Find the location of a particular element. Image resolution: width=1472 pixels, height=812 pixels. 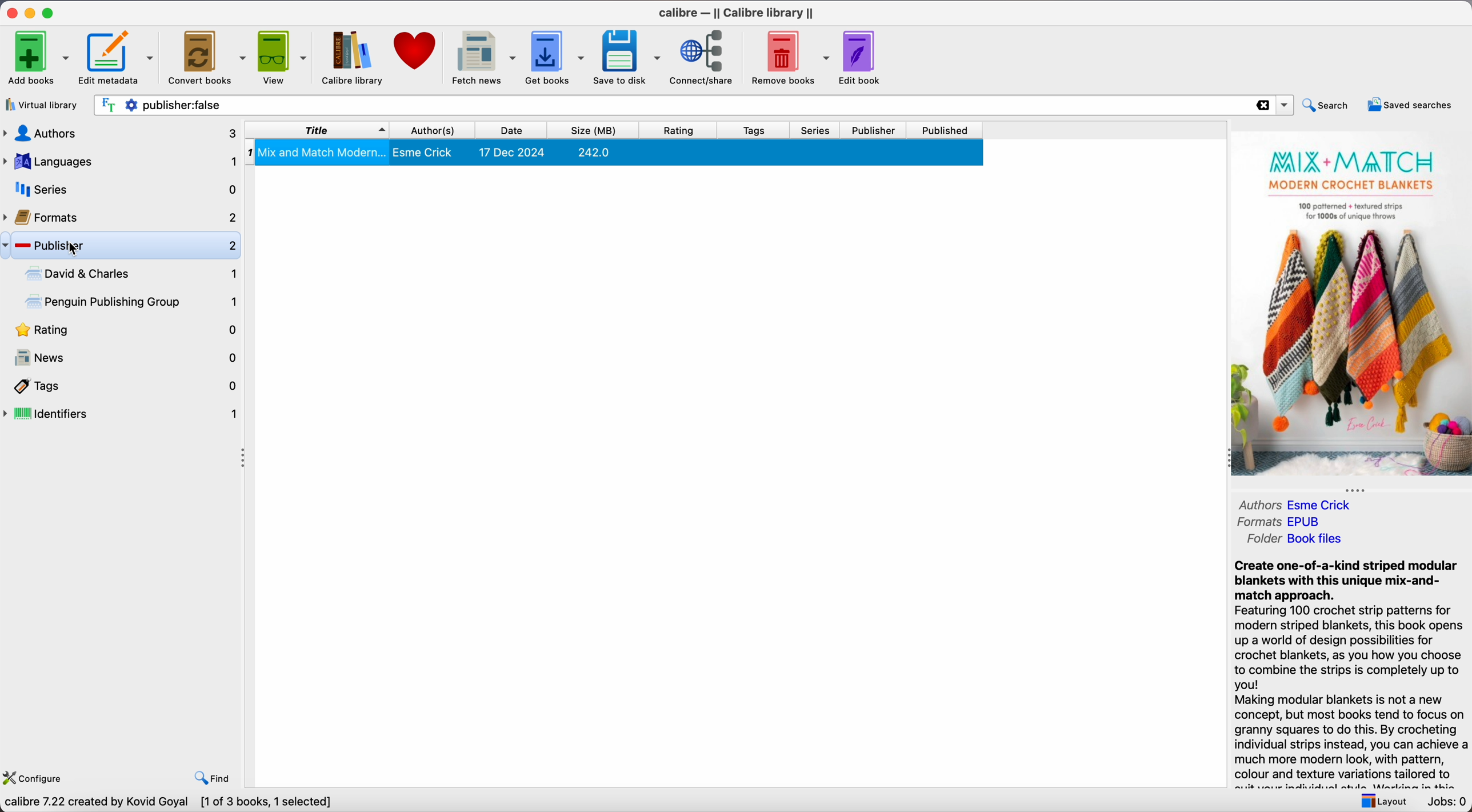

Calibre is located at coordinates (738, 13).